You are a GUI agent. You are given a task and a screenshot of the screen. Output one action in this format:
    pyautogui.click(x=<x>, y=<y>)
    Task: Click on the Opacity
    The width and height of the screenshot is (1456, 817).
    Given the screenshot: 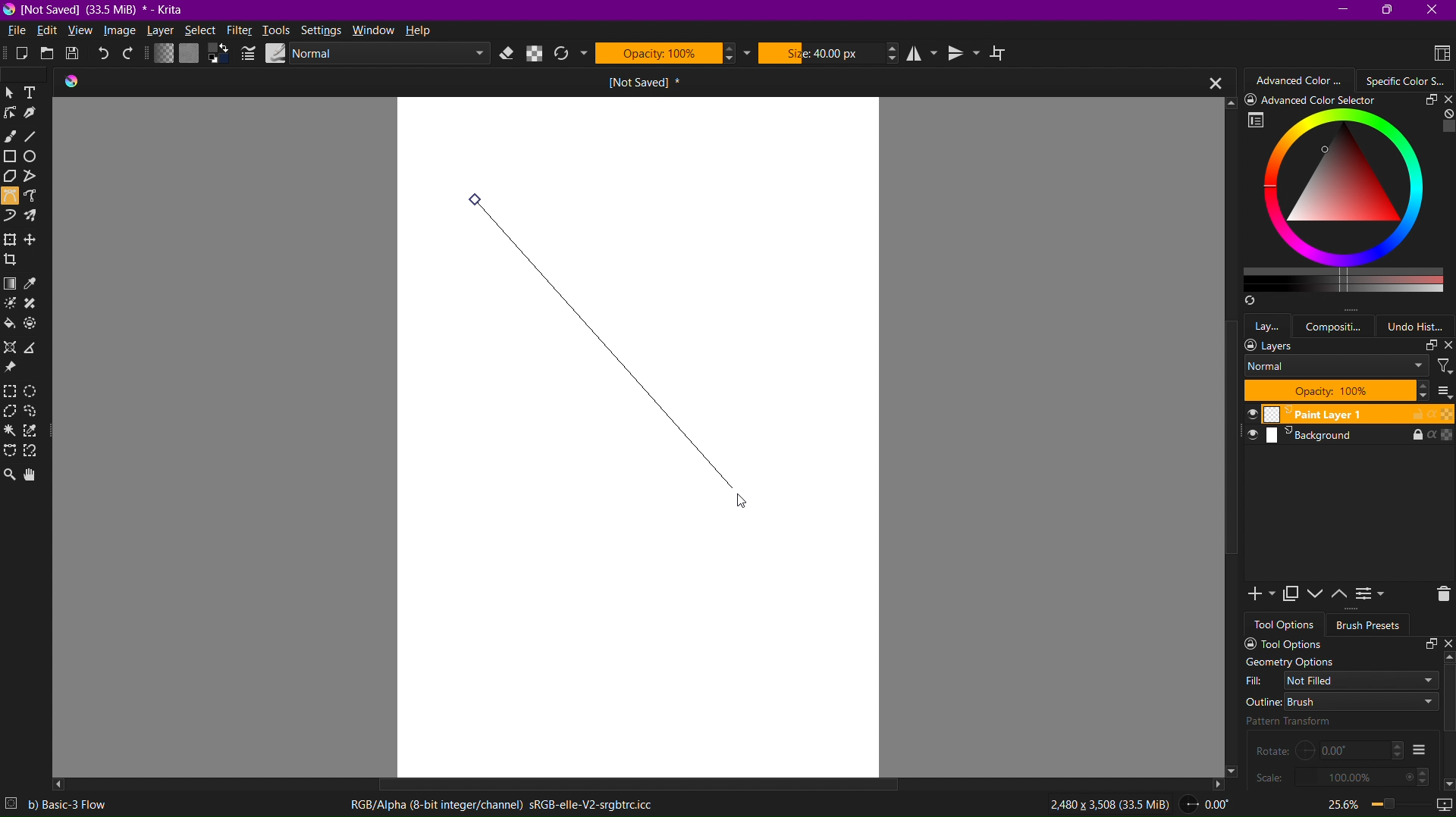 What is the action you would take?
    pyautogui.click(x=673, y=52)
    